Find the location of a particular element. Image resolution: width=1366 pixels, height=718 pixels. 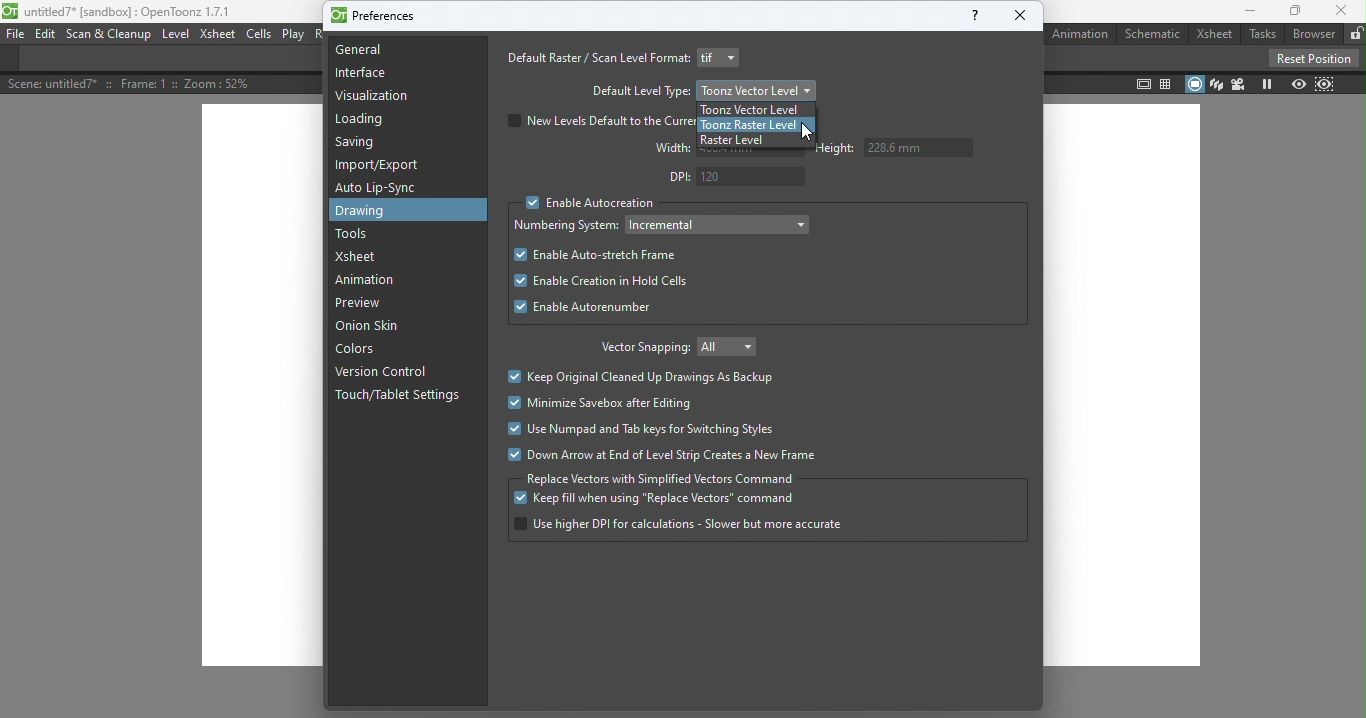

Version control is located at coordinates (380, 370).